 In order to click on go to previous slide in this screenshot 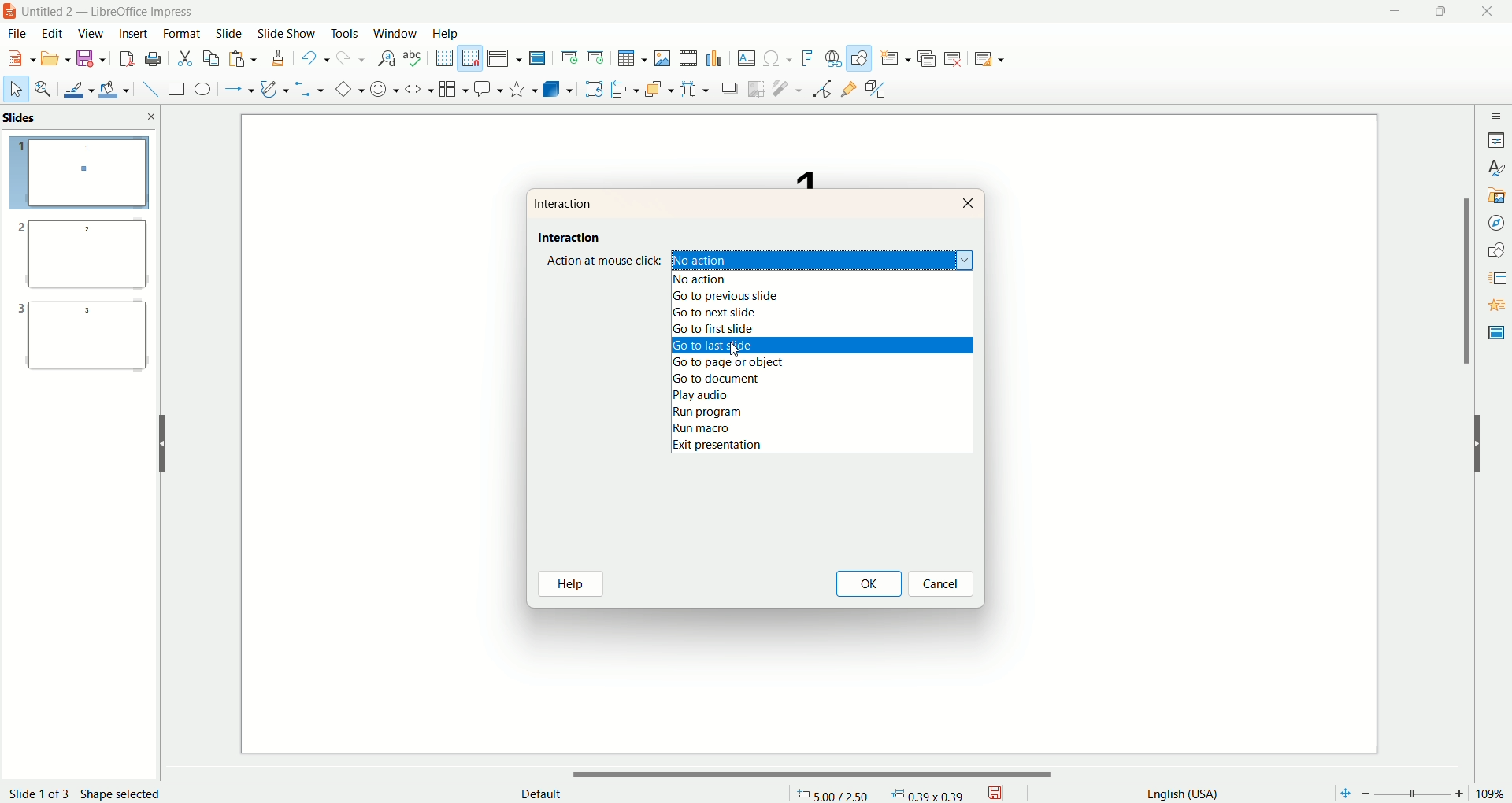, I will do `click(772, 296)`.